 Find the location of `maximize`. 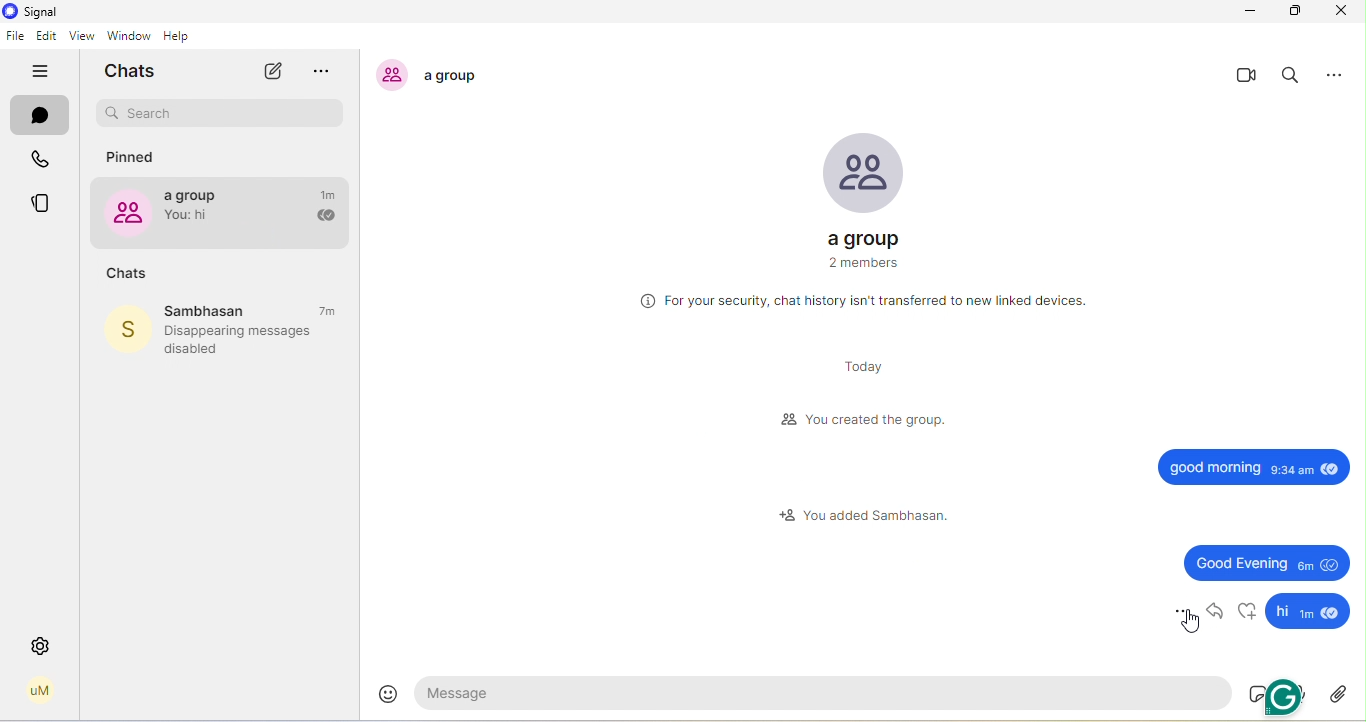

maximize is located at coordinates (1296, 11).